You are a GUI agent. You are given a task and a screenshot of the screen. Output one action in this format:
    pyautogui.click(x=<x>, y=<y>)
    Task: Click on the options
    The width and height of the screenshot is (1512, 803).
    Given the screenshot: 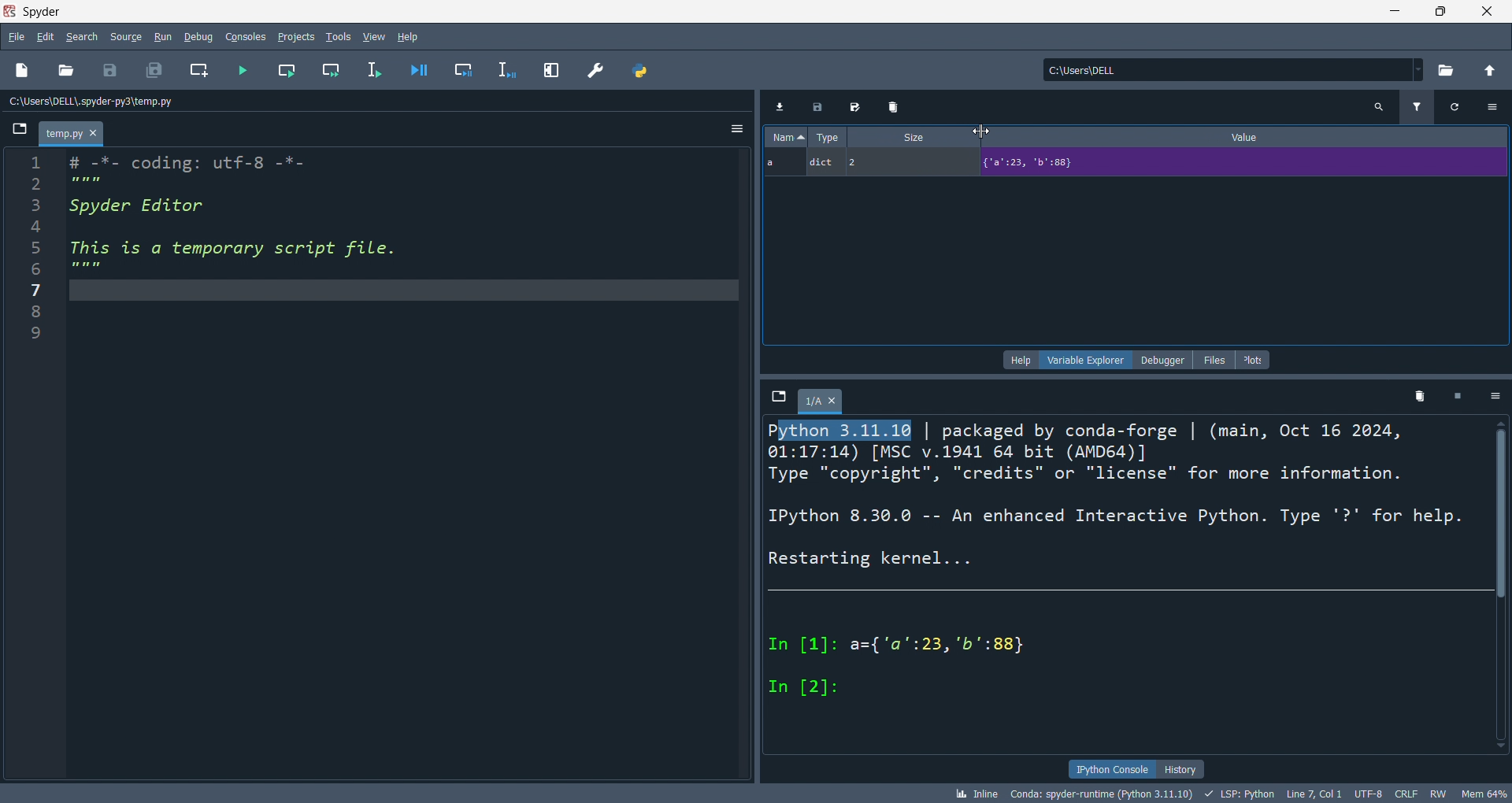 What is the action you would take?
    pyautogui.click(x=1495, y=396)
    